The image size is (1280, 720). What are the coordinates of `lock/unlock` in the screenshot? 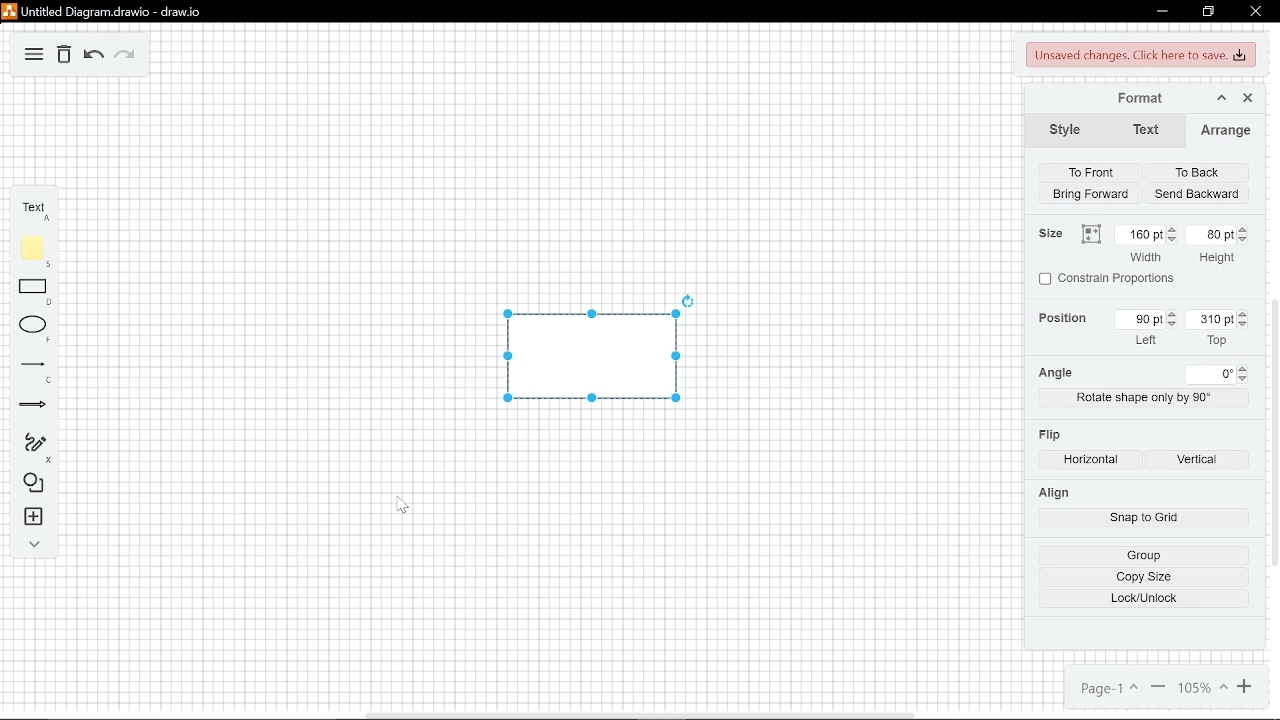 It's located at (1143, 599).